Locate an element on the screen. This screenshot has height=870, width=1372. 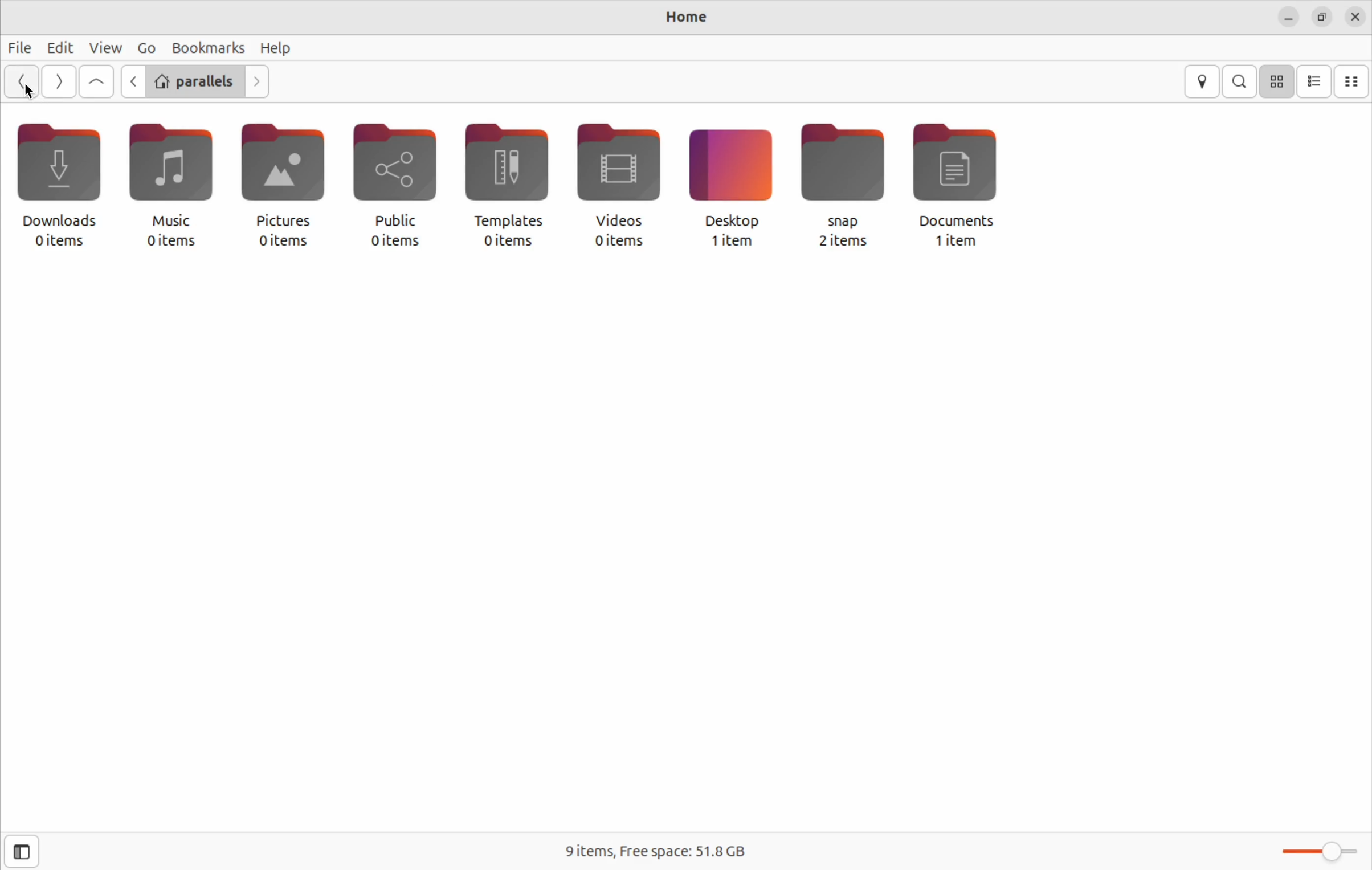
documents 1 item is located at coordinates (958, 178).